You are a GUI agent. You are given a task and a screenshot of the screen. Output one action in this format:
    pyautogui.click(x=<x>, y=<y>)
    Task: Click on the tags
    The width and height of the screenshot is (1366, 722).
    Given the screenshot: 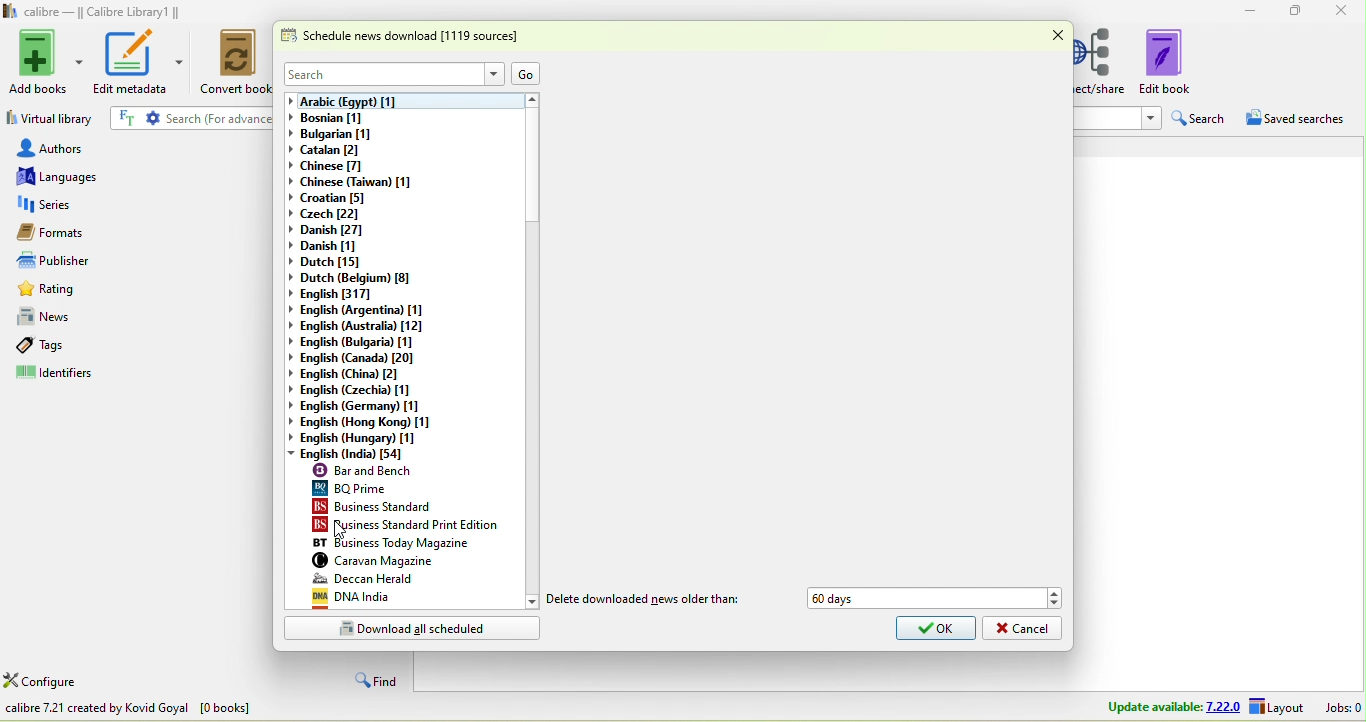 What is the action you would take?
    pyautogui.click(x=140, y=349)
    